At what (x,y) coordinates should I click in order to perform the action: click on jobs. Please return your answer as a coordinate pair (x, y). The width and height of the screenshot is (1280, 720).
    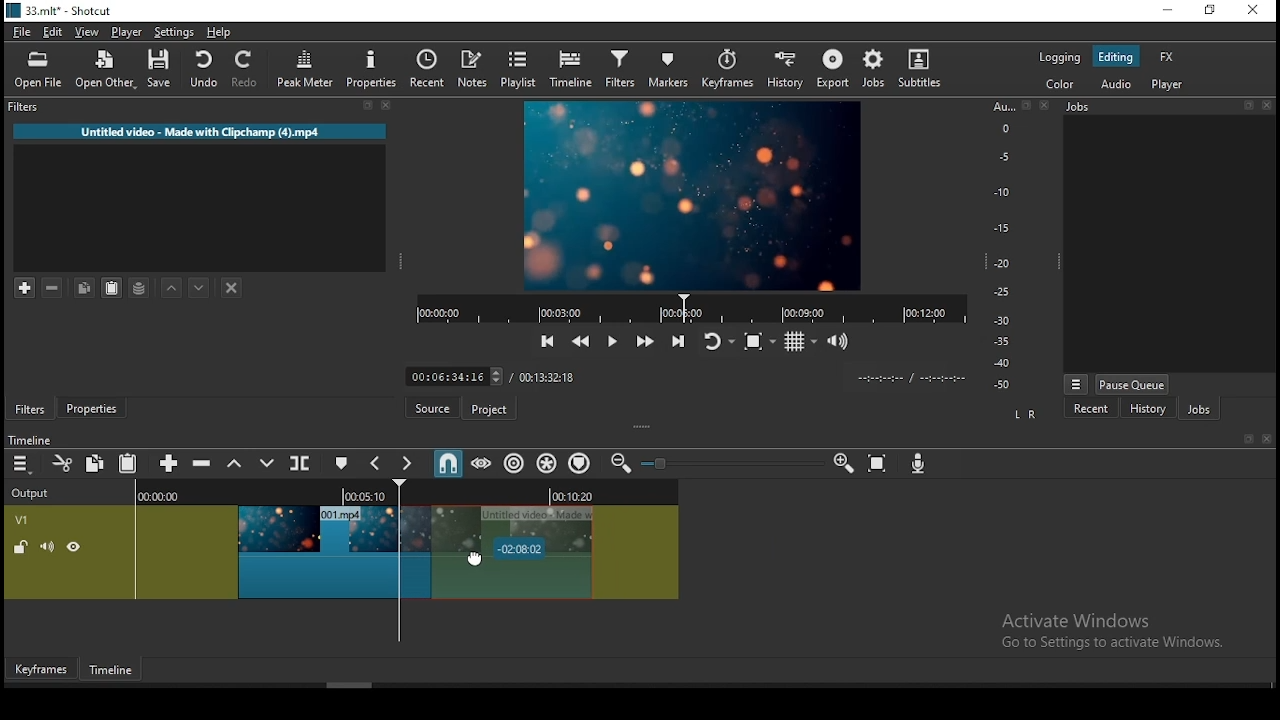
    Looking at the image, I should click on (874, 68).